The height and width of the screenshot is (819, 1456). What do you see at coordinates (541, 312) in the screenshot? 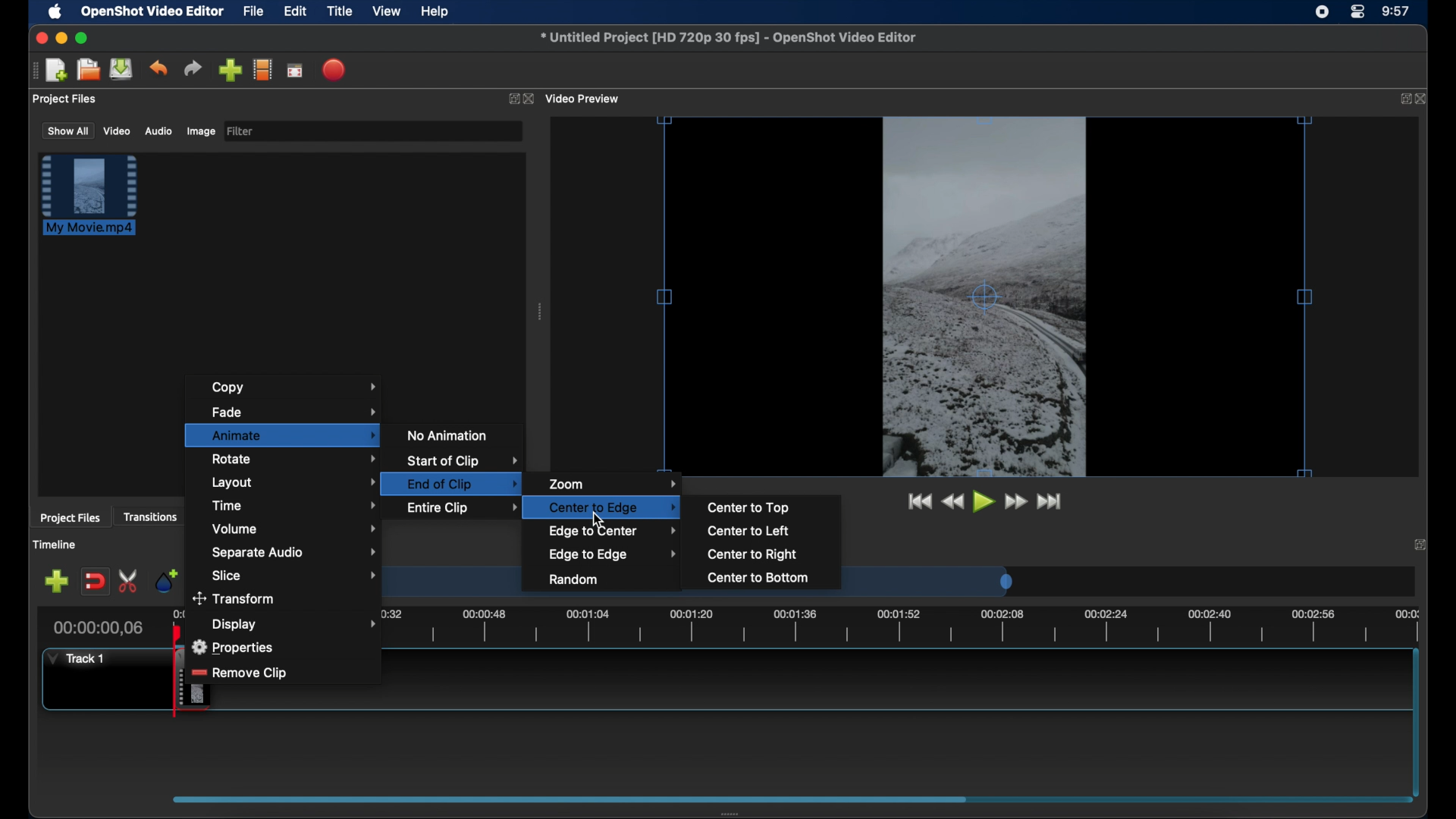
I see `drag handle` at bounding box center [541, 312].